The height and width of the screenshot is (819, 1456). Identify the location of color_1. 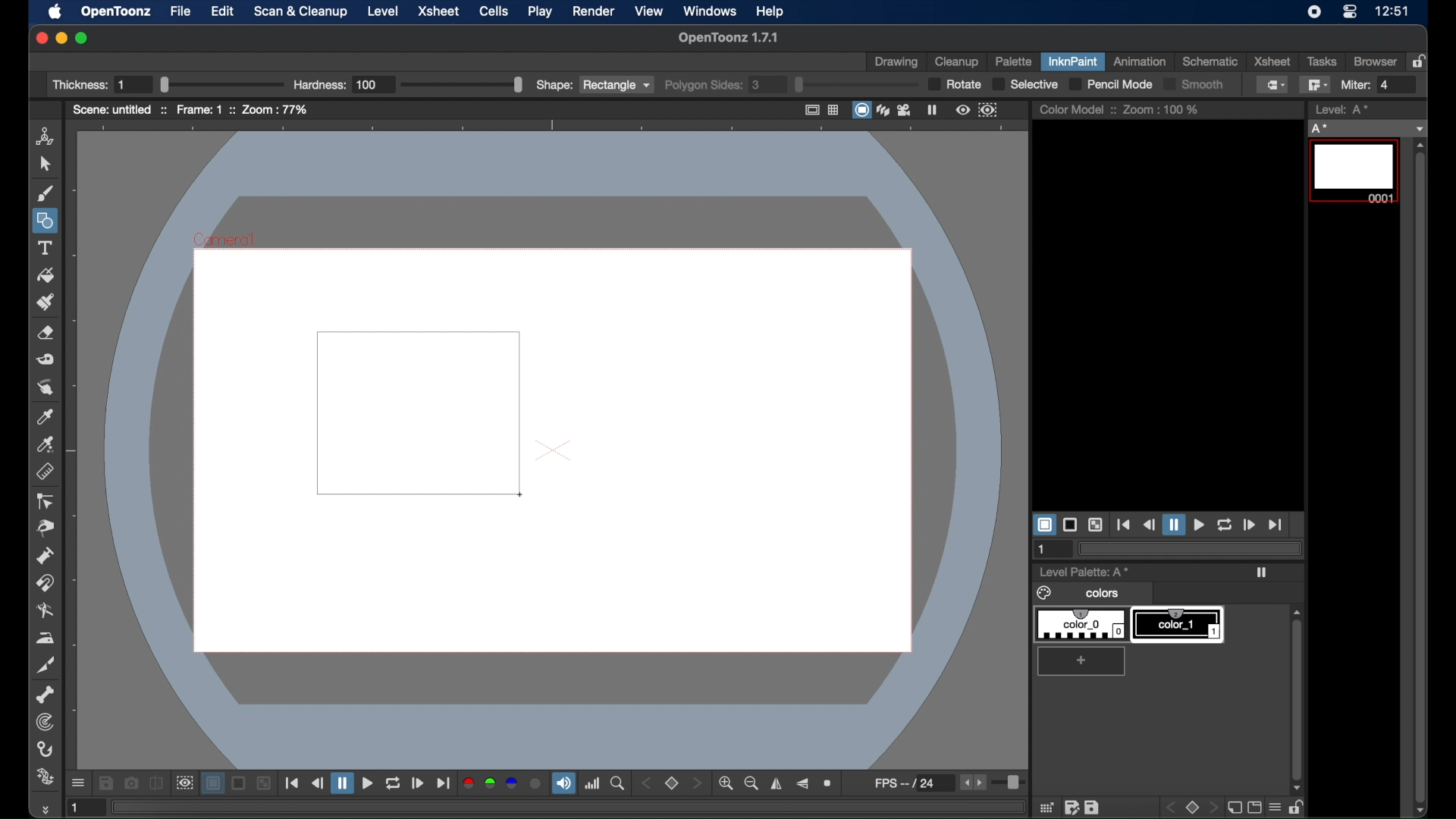
(1179, 625).